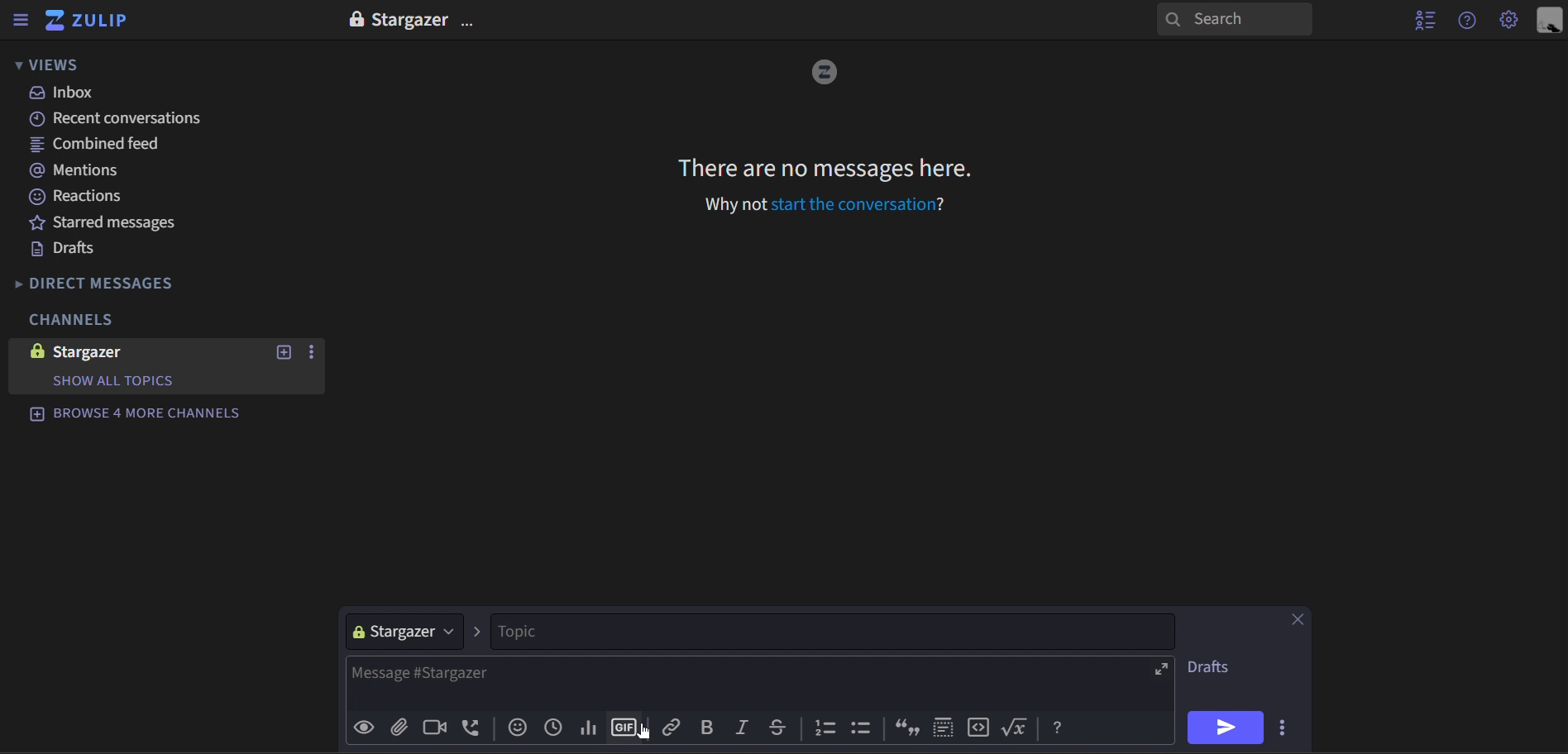 The image size is (1568, 754). What do you see at coordinates (863, 729) in the screenshot?
I see `Bullets` at bounding box center [863, 729].